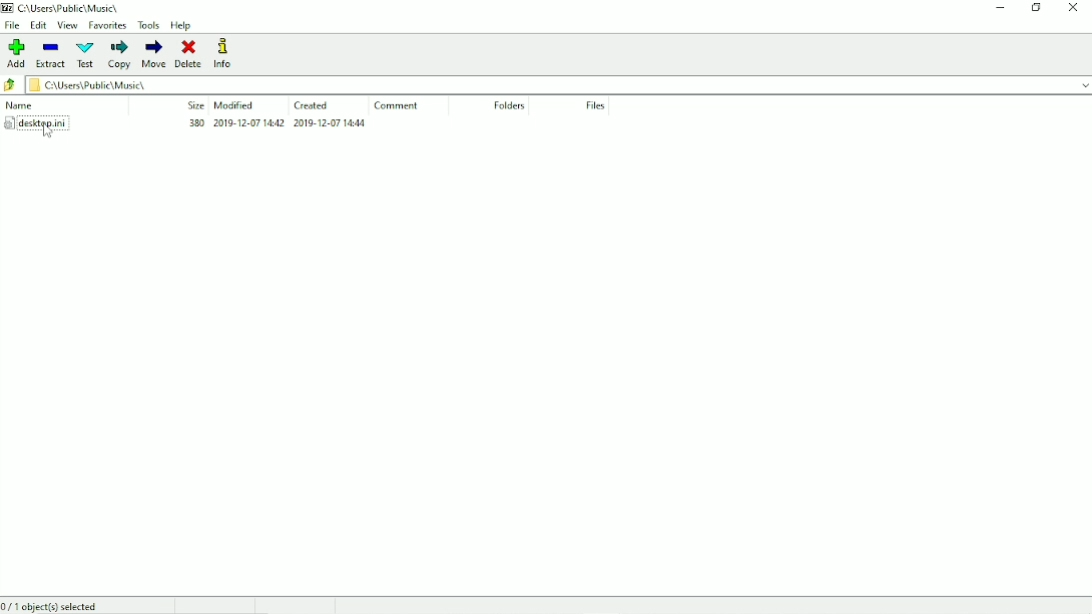 This screenshot has width=1092, height=614. I want to click on Delete, so click(189, 54).